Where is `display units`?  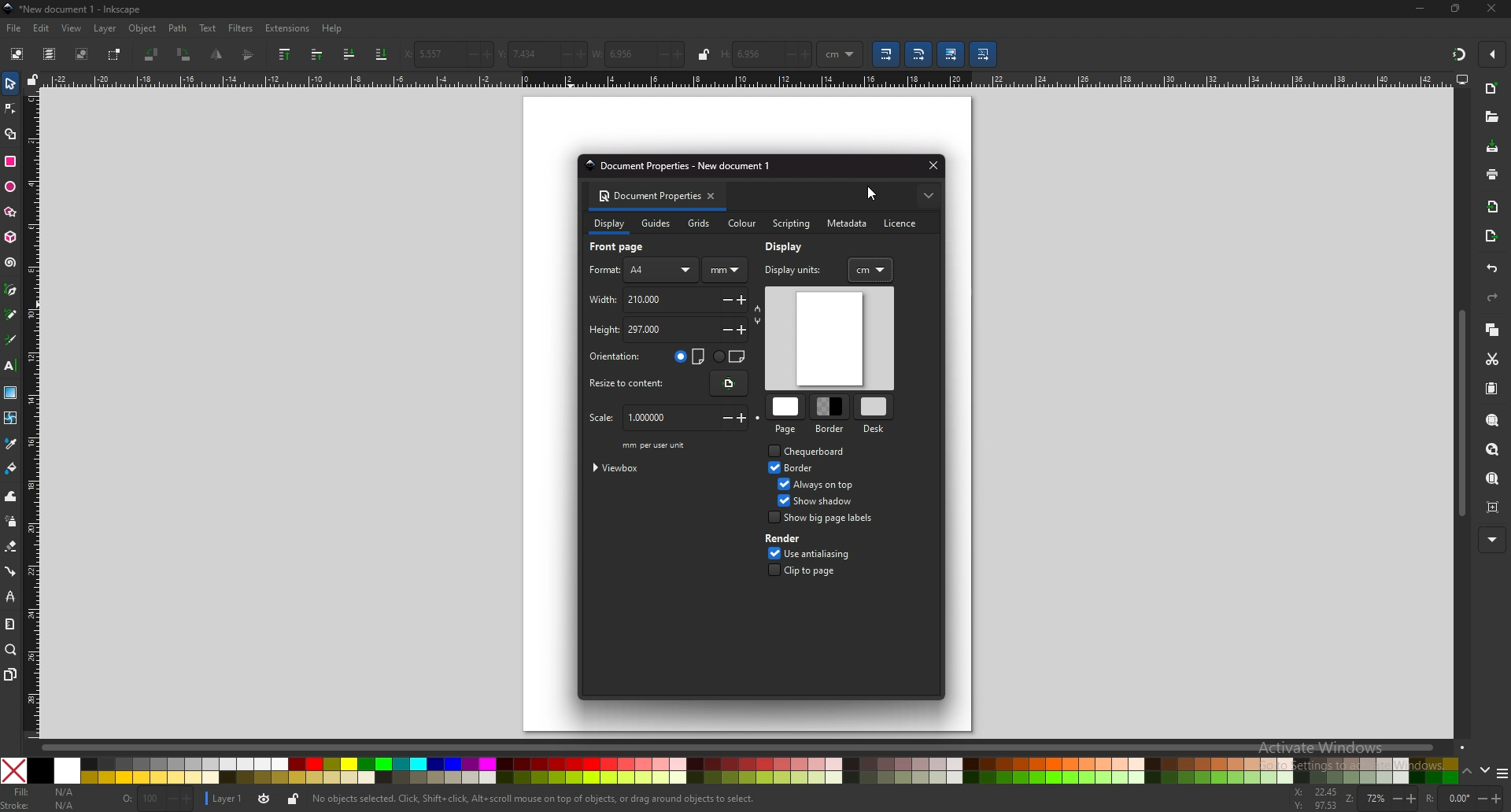
display units is located at coordinates (801, 268).